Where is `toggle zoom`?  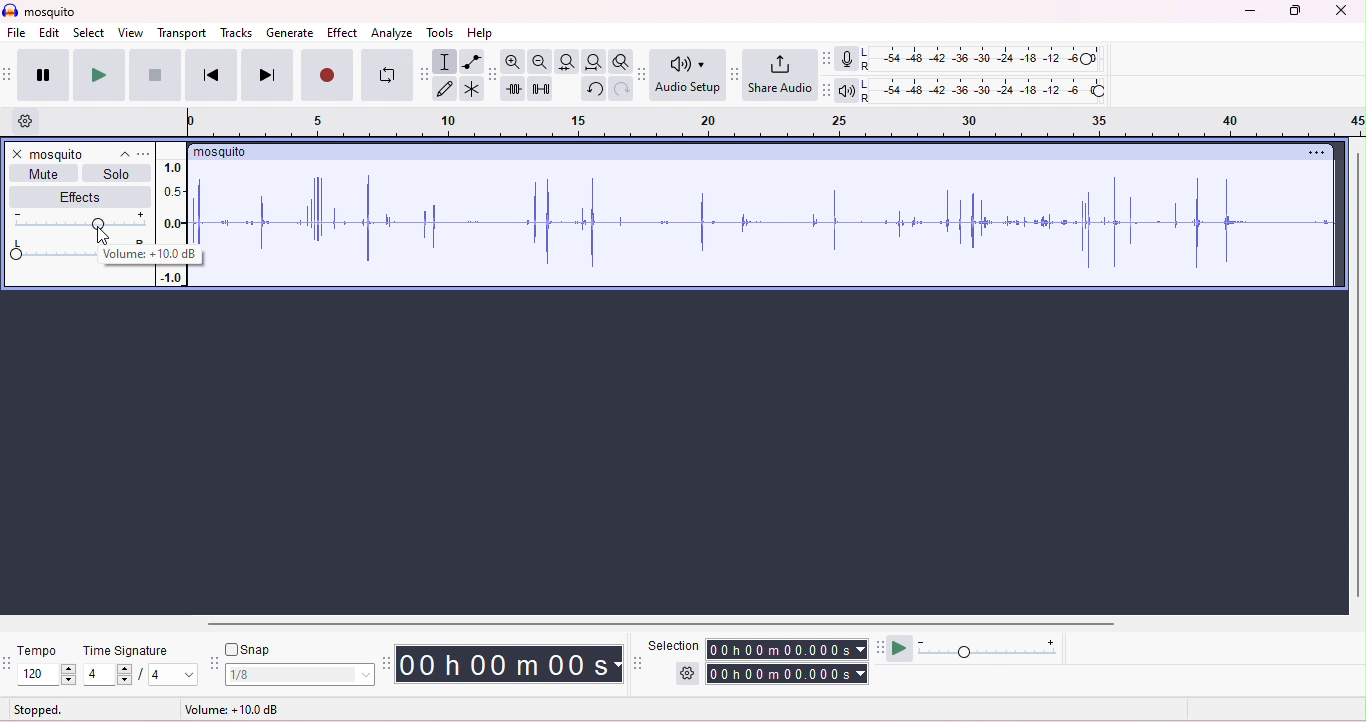 toggle zoom is located at coordinates (622, 63).